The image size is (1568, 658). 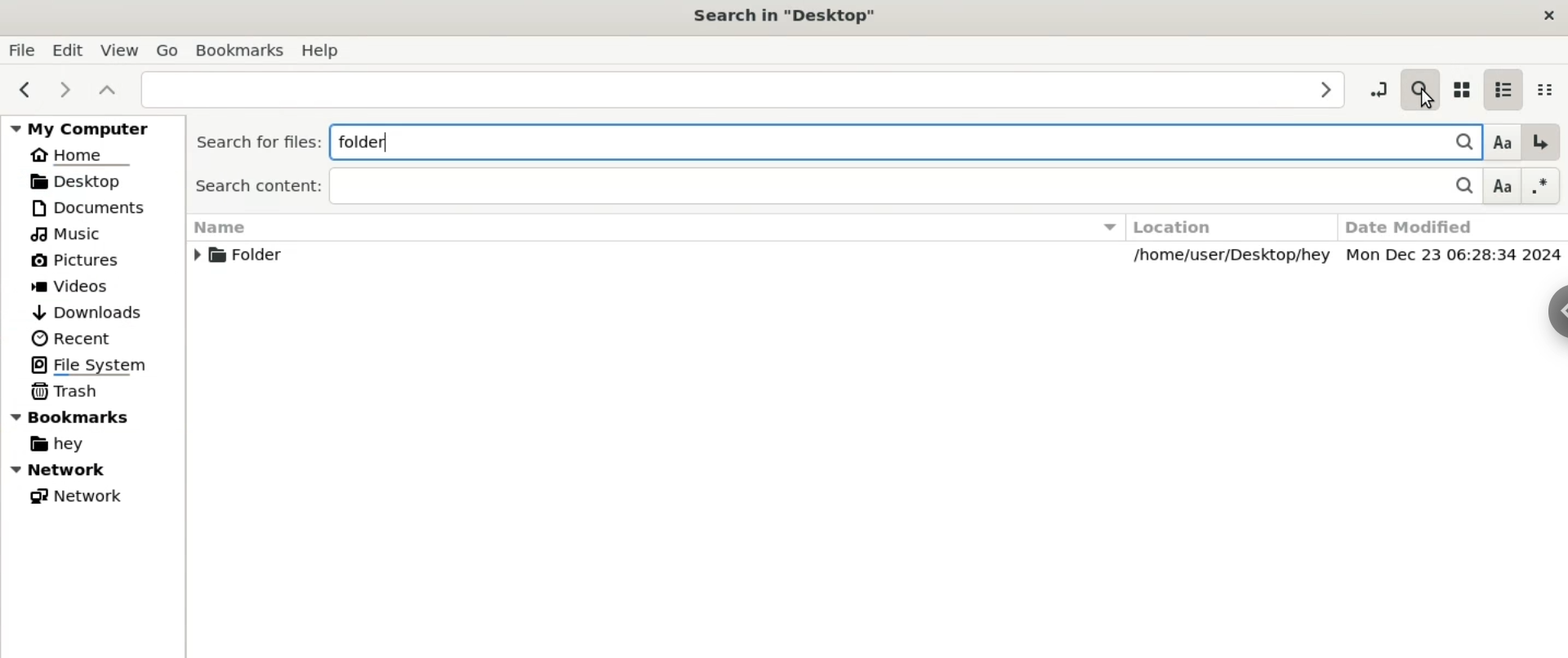 What do you see at coordinates (76, 416) in the screenshot?
I see `Bookmarks` at bounding box center [76, 416].